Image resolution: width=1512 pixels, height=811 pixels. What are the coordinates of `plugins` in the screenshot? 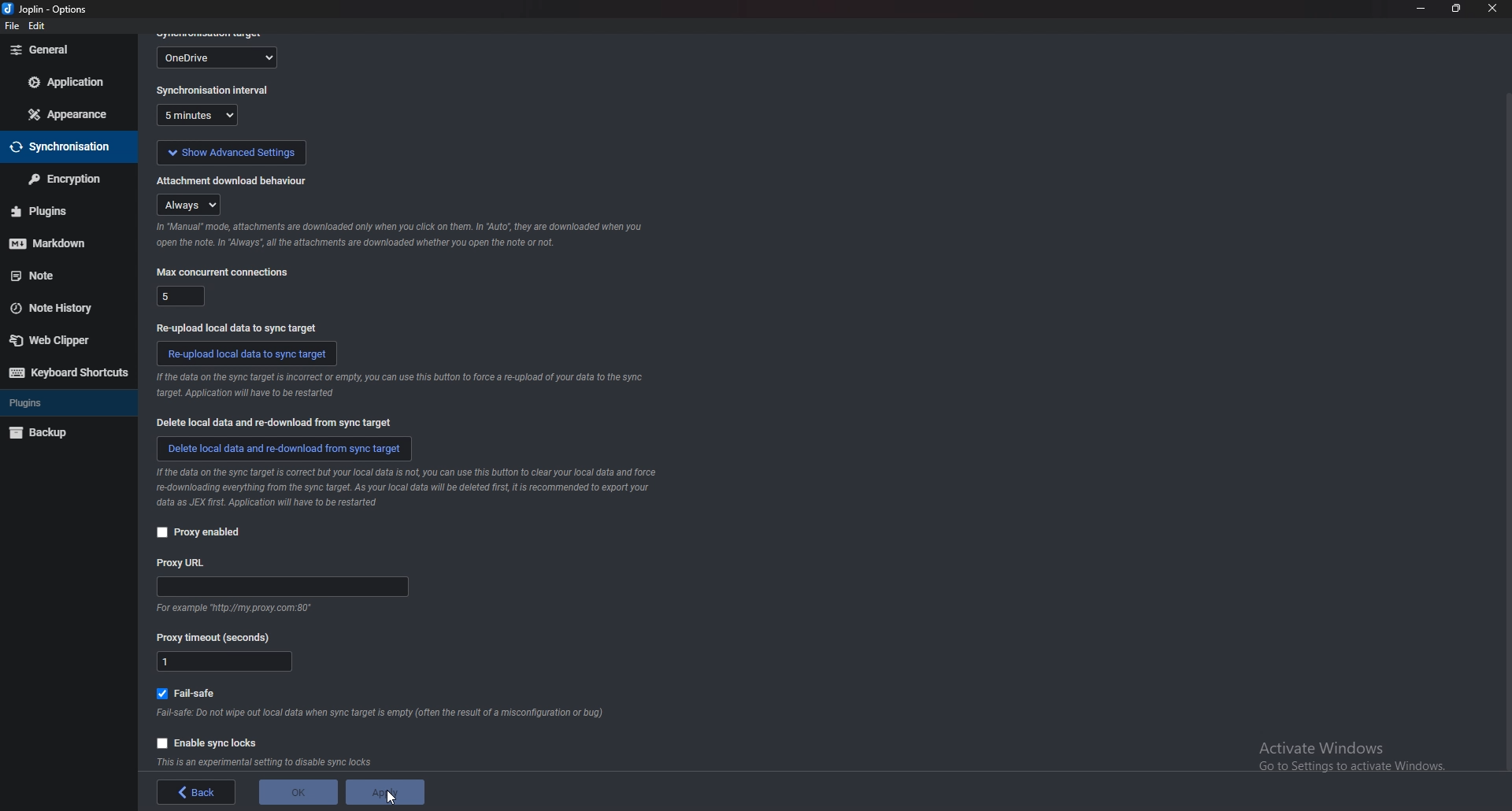 It's located at (56, 211).